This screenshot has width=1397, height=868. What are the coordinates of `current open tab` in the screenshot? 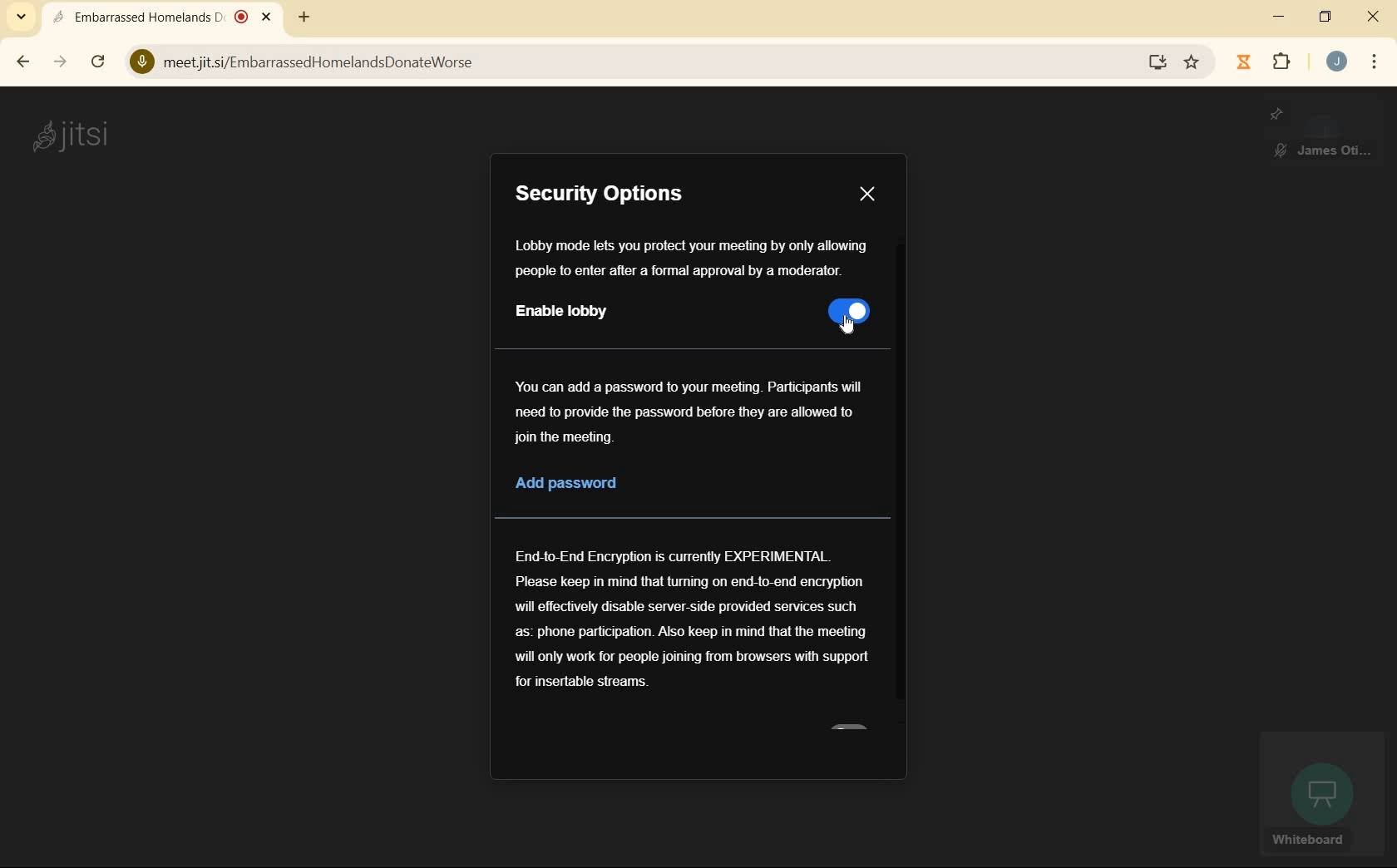 It's located at (164, 17).